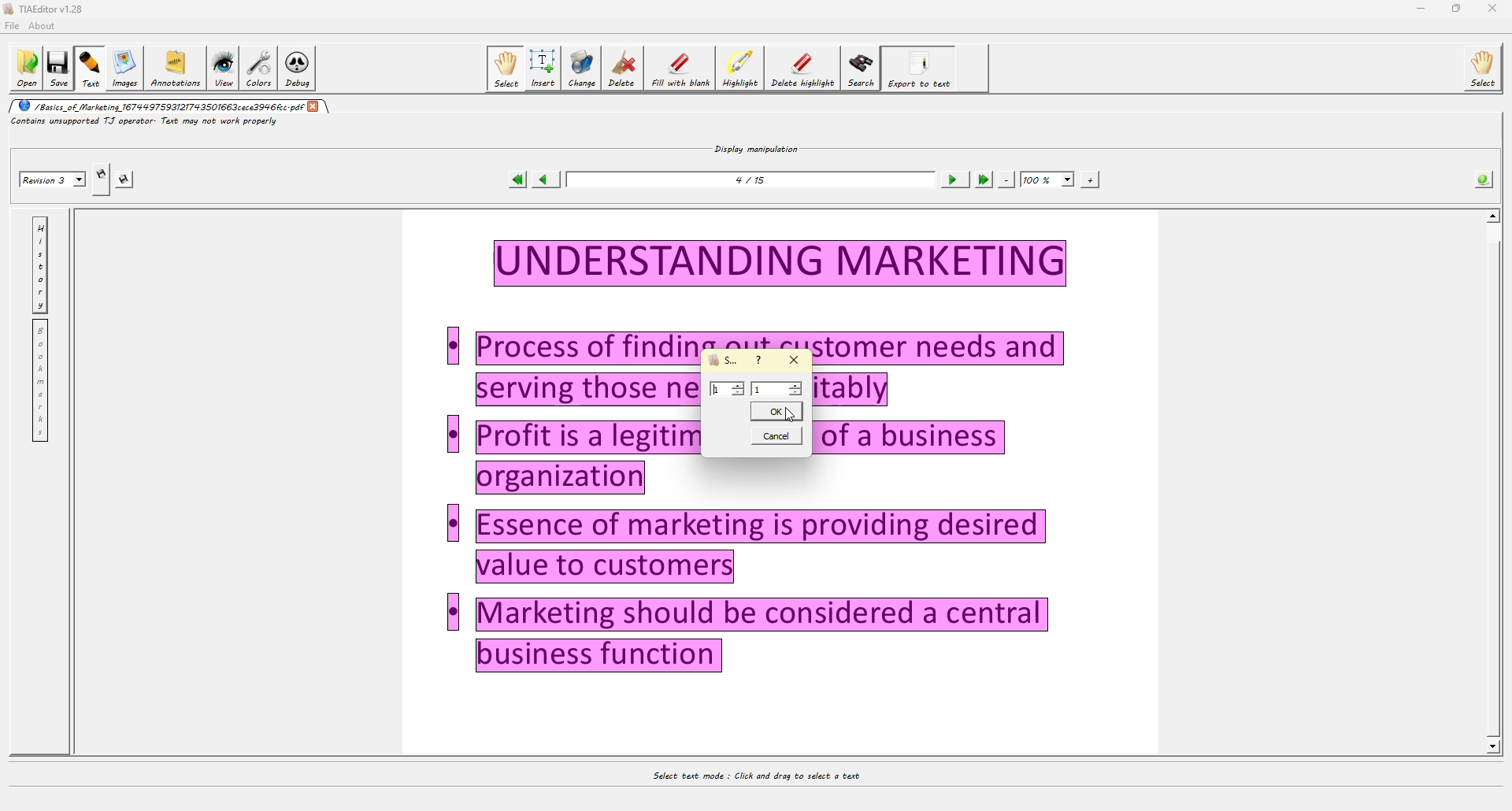  Describe the element at coordinates (752, 774) in the screenshot. I see `select text` at that location.